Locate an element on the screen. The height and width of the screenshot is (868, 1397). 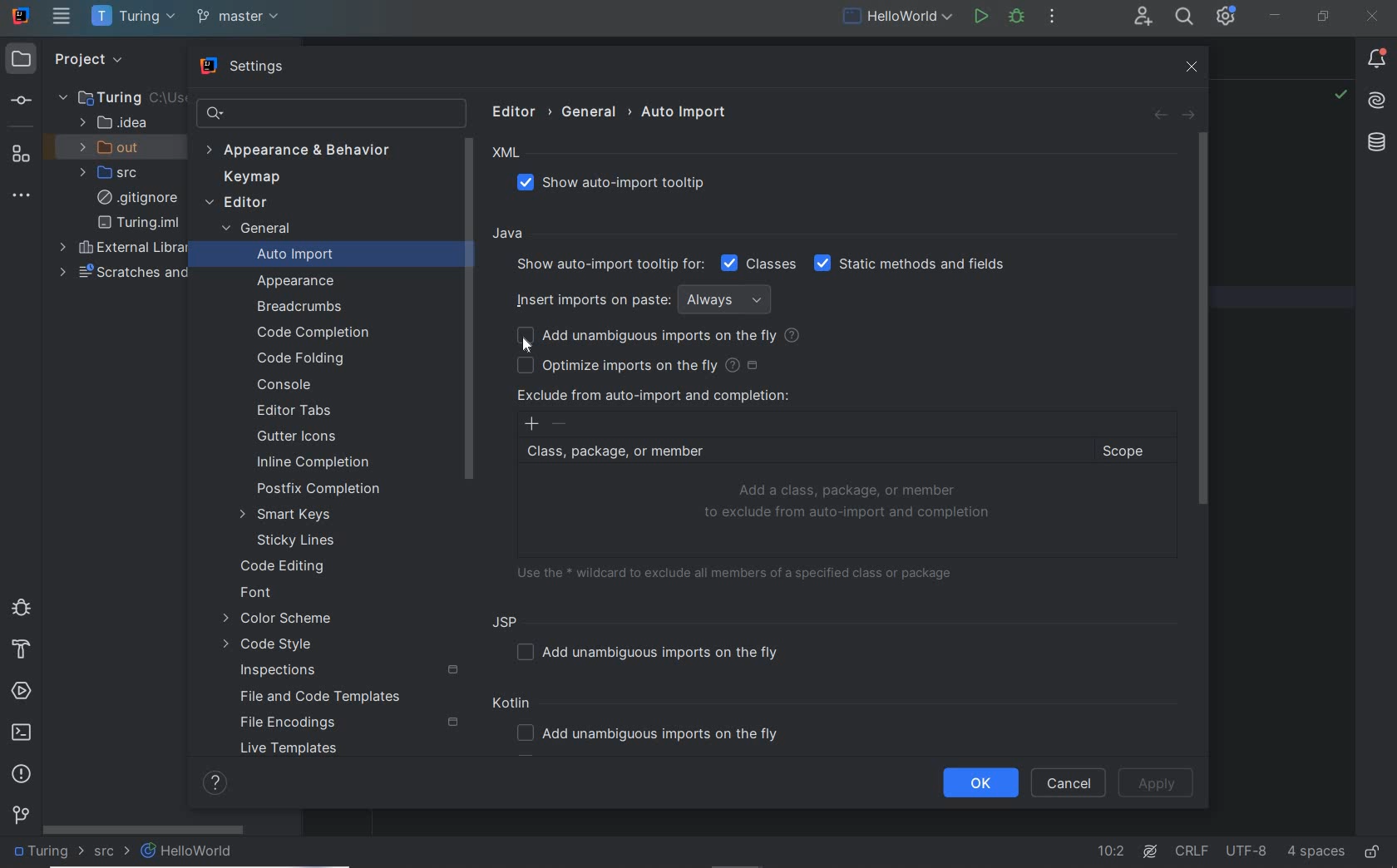
4 spaces(INDENT) is located at coordinates (1316, 850).